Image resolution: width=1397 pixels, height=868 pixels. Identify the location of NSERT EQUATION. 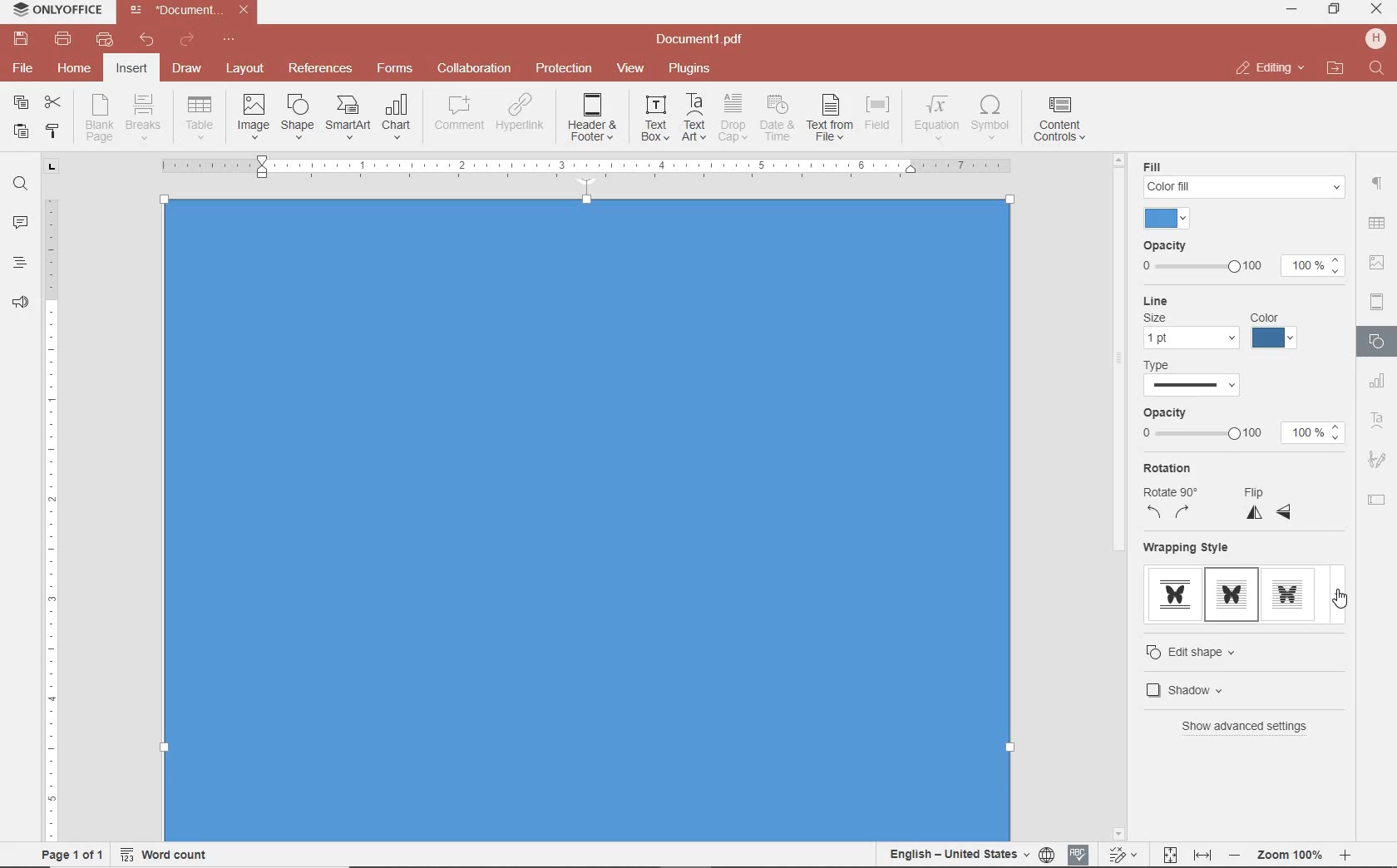
(935, 116).